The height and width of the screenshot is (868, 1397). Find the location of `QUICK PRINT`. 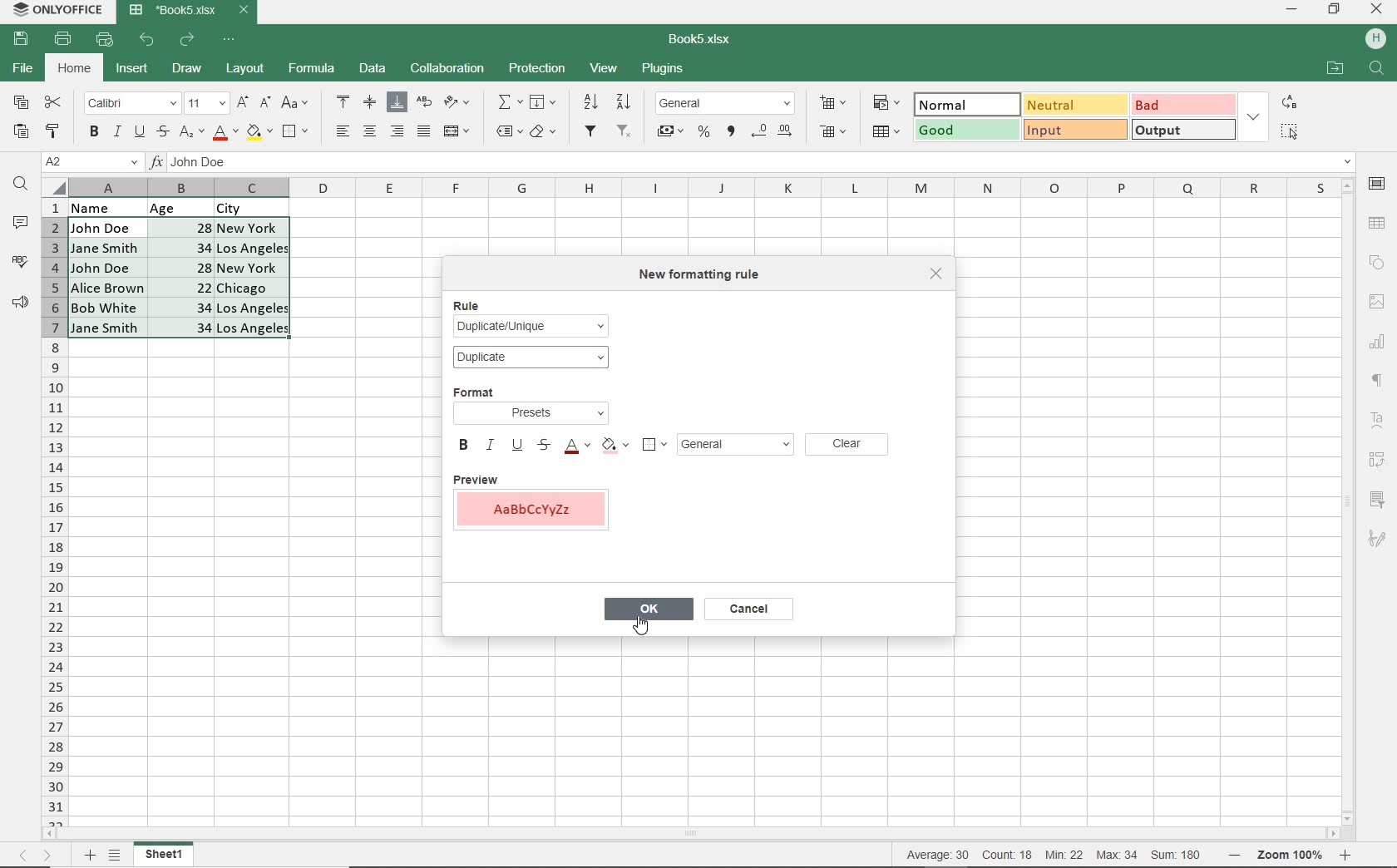

QUICK PRINT is located at coordinates (105, 40).